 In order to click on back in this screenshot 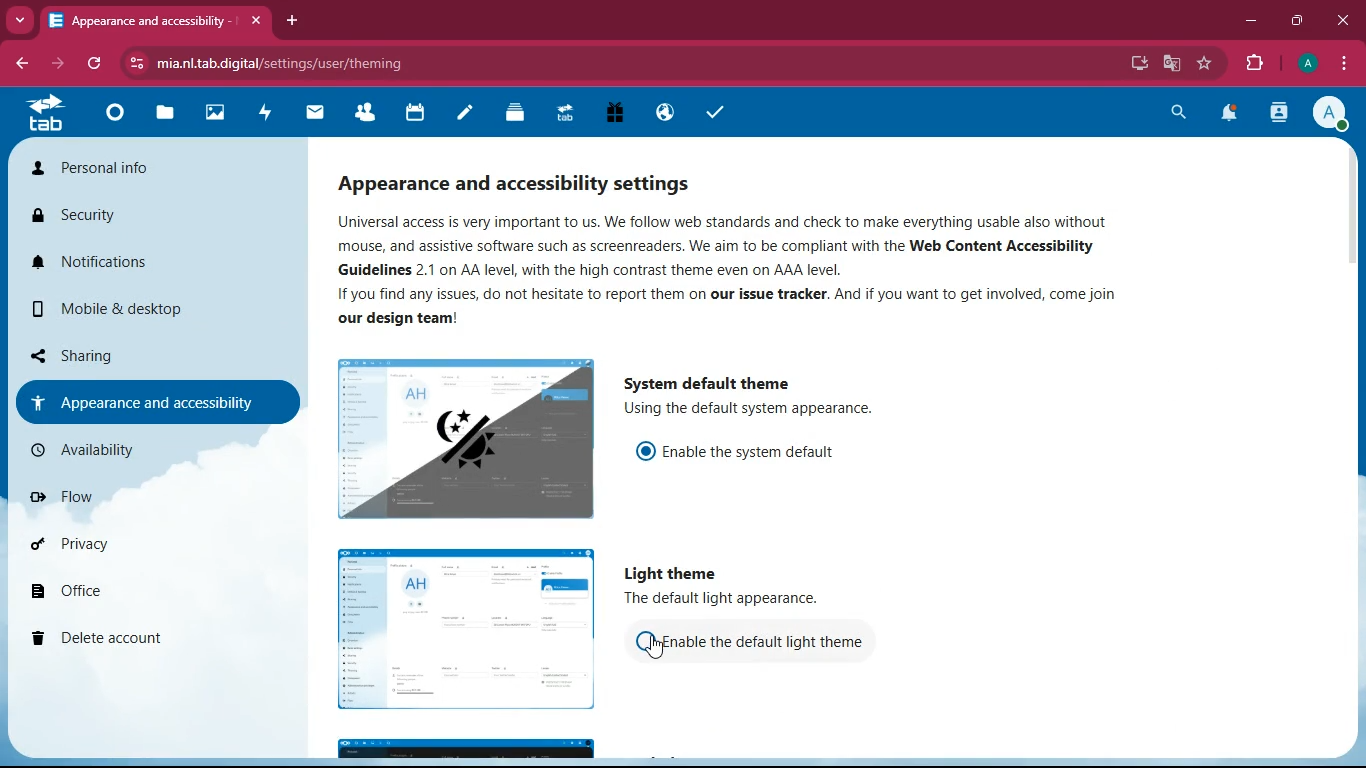, I will do `click(24, 64)`.